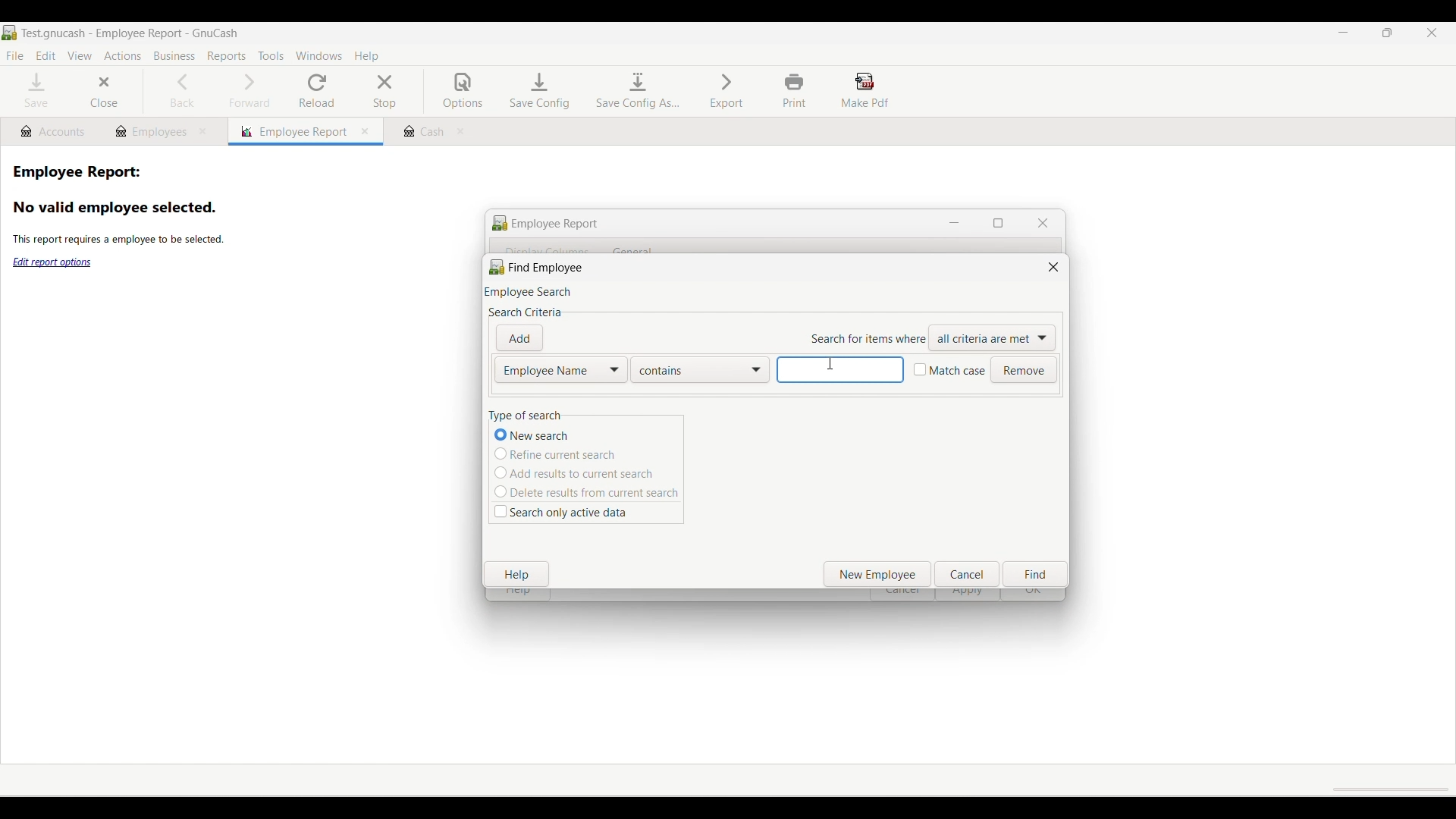 This screenshot has height=819, width=1456. What do you see at coordinates (573, 453) in the screenshot?
I see `Refine current search` at bounding box center [573, 453].